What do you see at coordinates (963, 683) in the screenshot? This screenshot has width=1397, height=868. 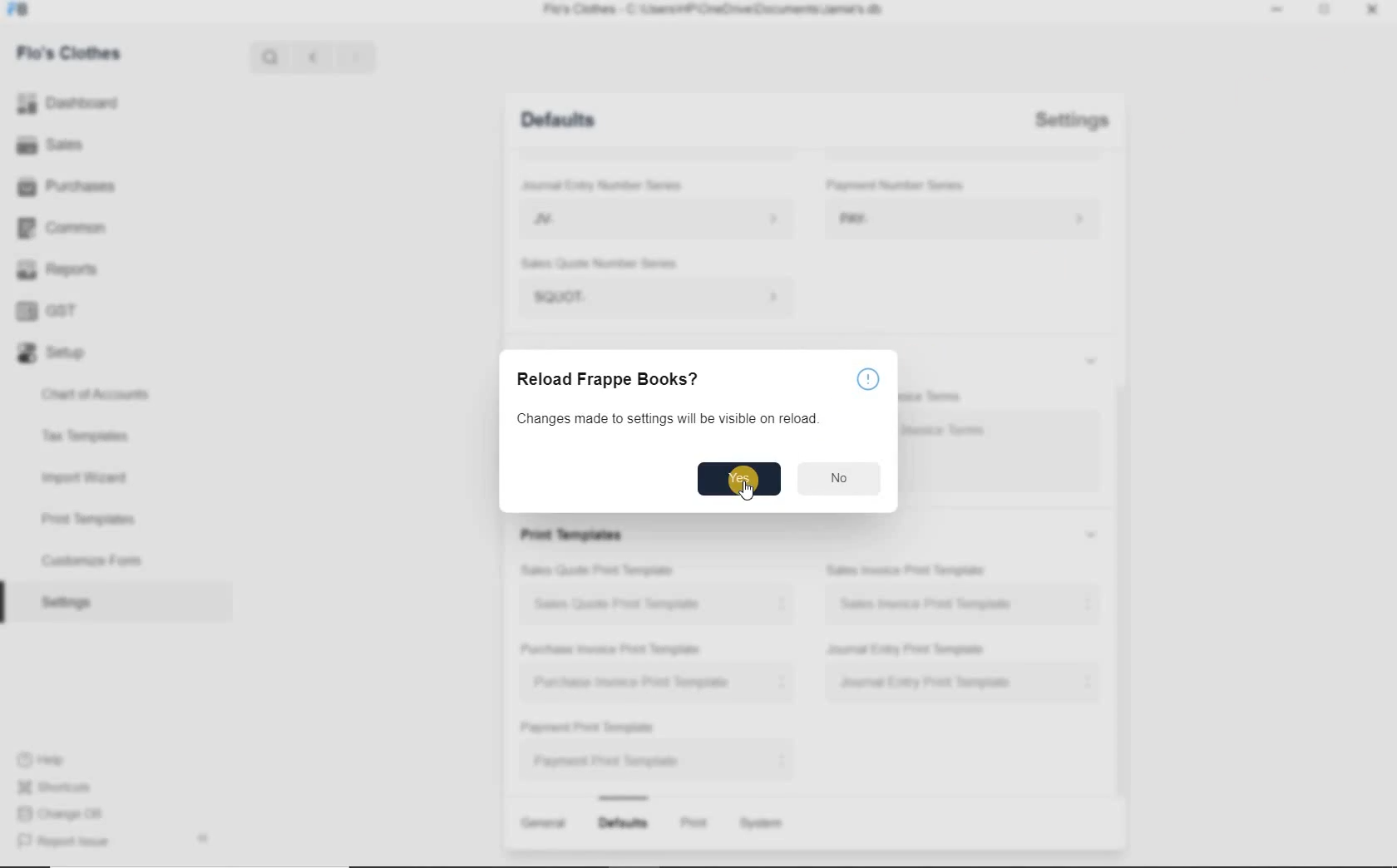 I see `Journal Entry Print Template` at bounding box center [963, 683].